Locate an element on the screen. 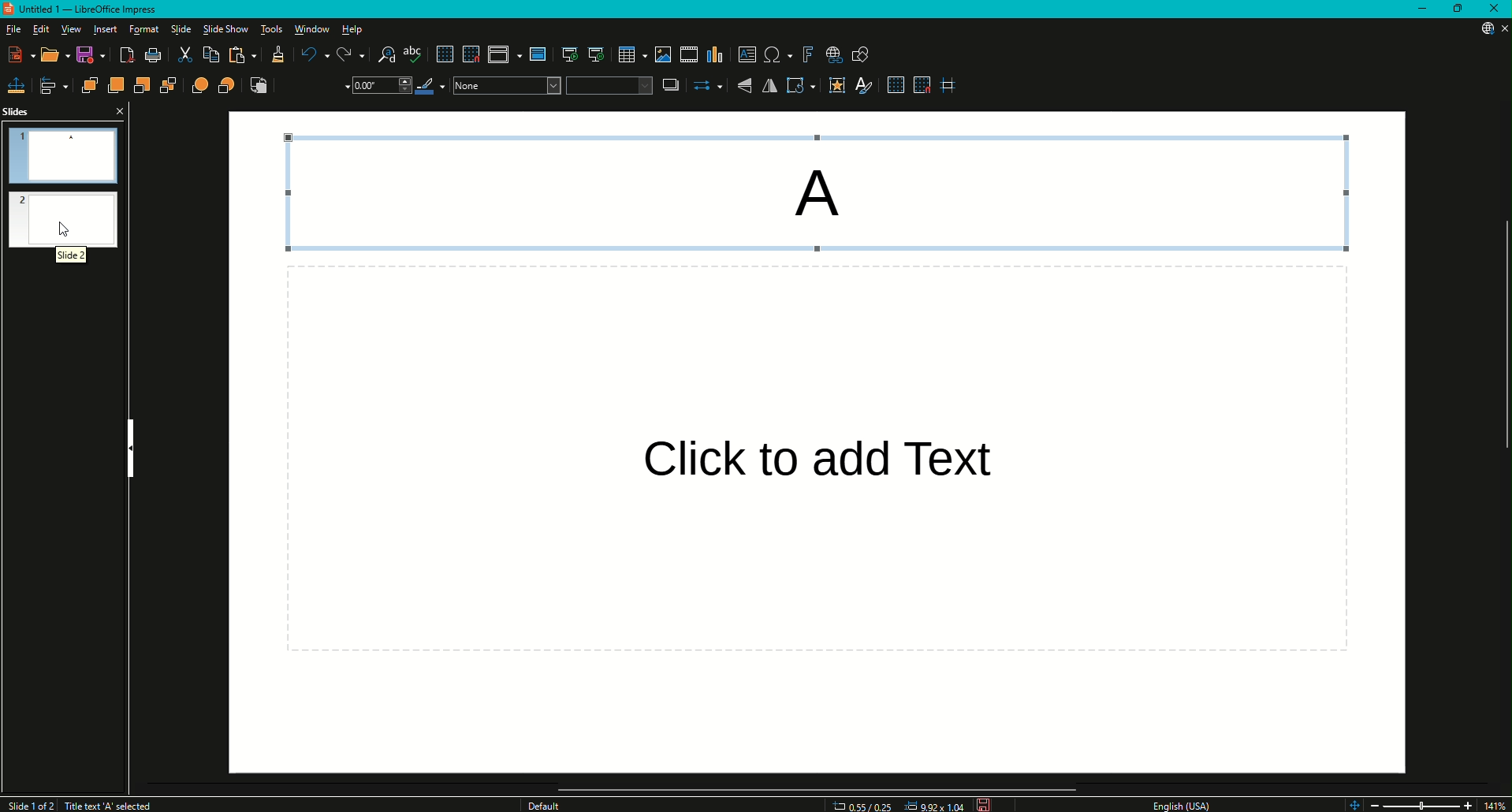 The width and height of the screenshot is (1512, 812). Redo is located at coordinates (345, 52).